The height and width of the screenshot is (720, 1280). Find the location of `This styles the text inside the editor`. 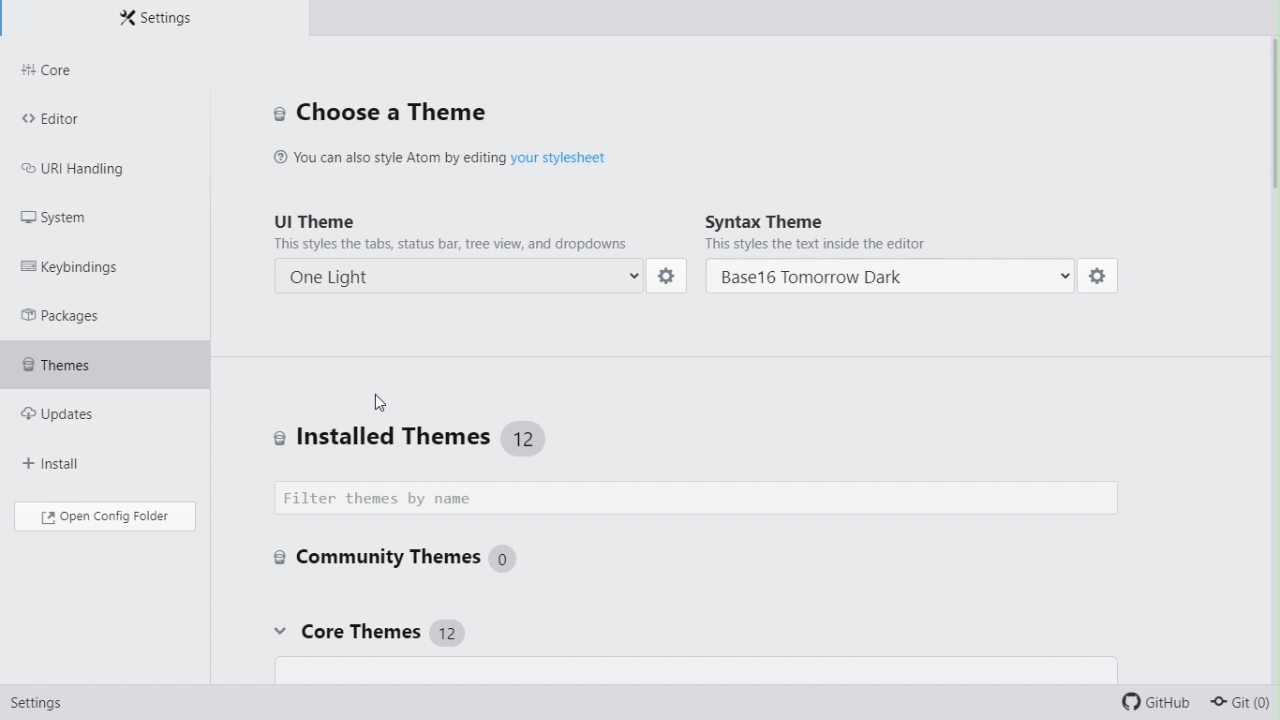

This styles the text inside the editor is located at coordinates (815, 243).